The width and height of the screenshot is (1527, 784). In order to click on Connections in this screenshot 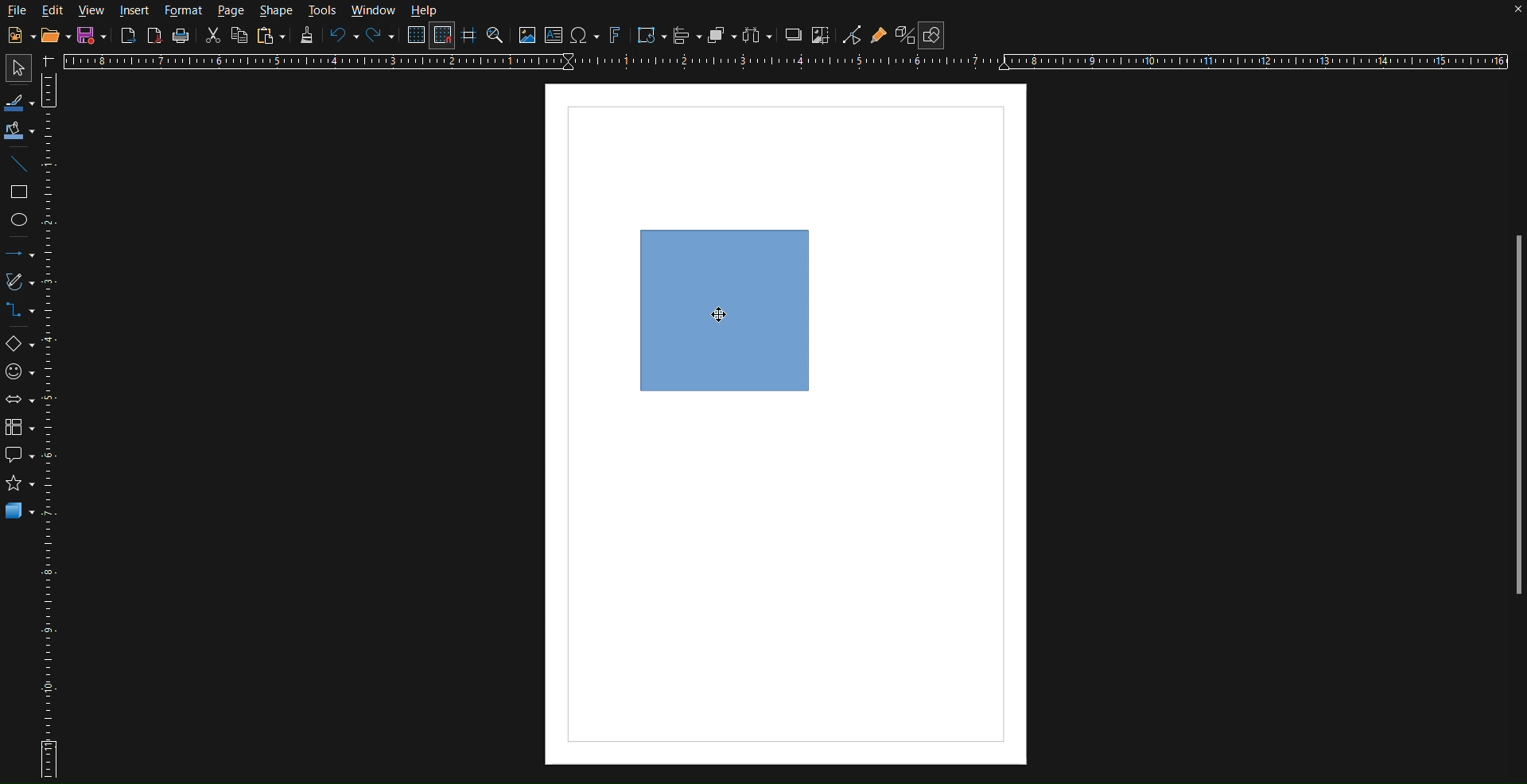, I will do `click(17, 312)`.